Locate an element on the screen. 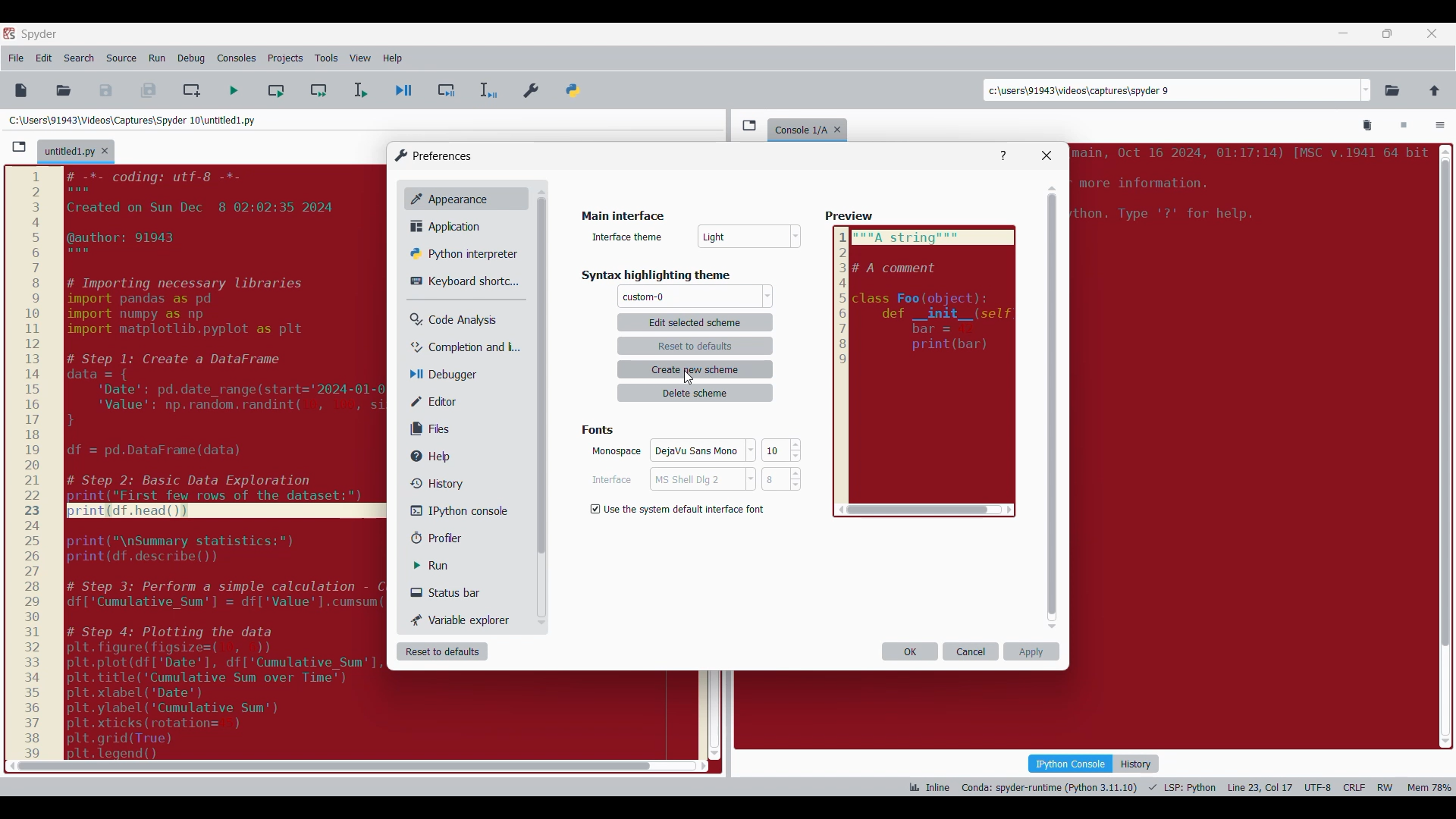 This screenshot has height=819, width=1456. Search menu is located at coordinates (80, 58).